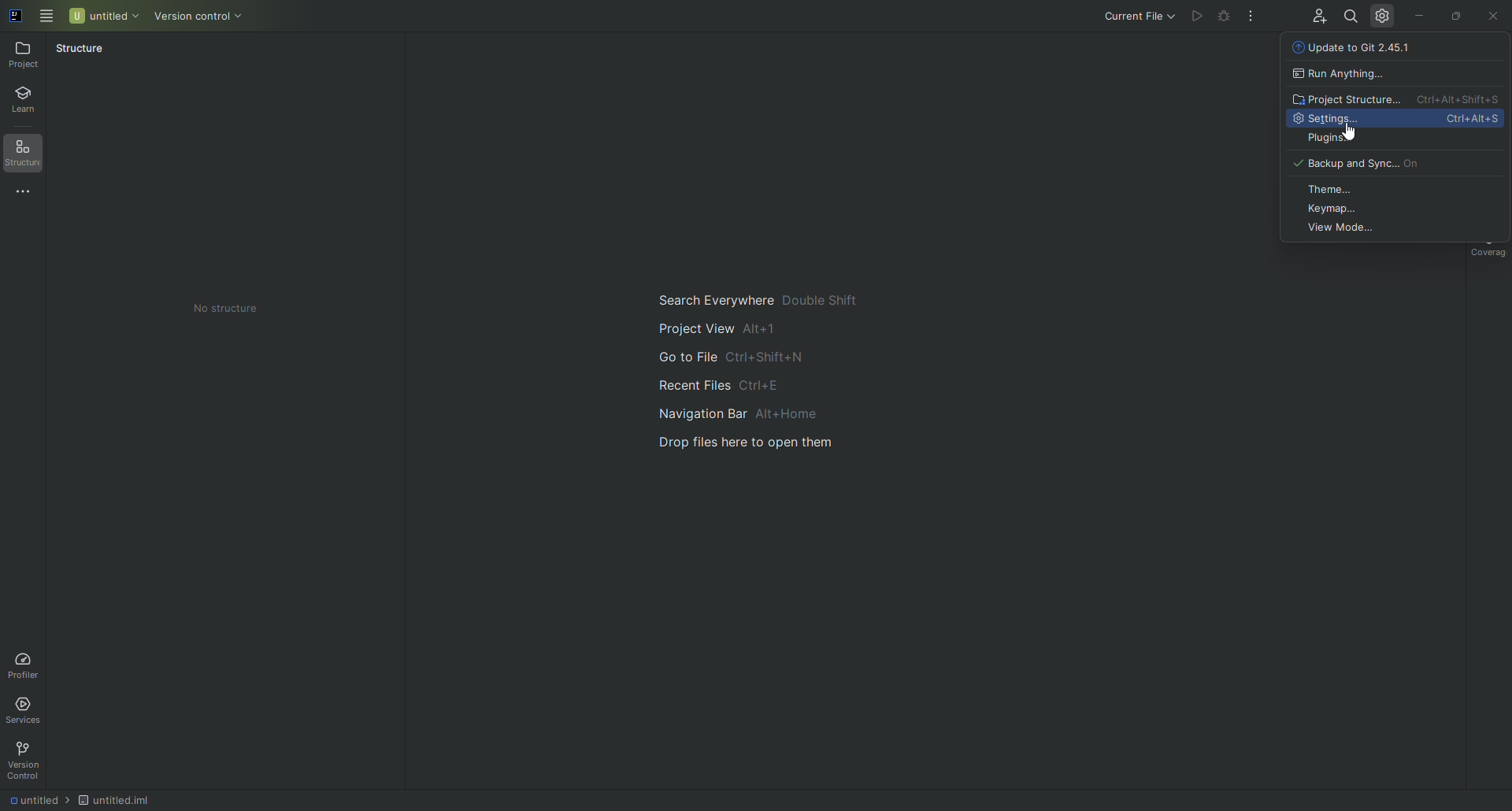  I want to click on Current File, so click(1134, 17).